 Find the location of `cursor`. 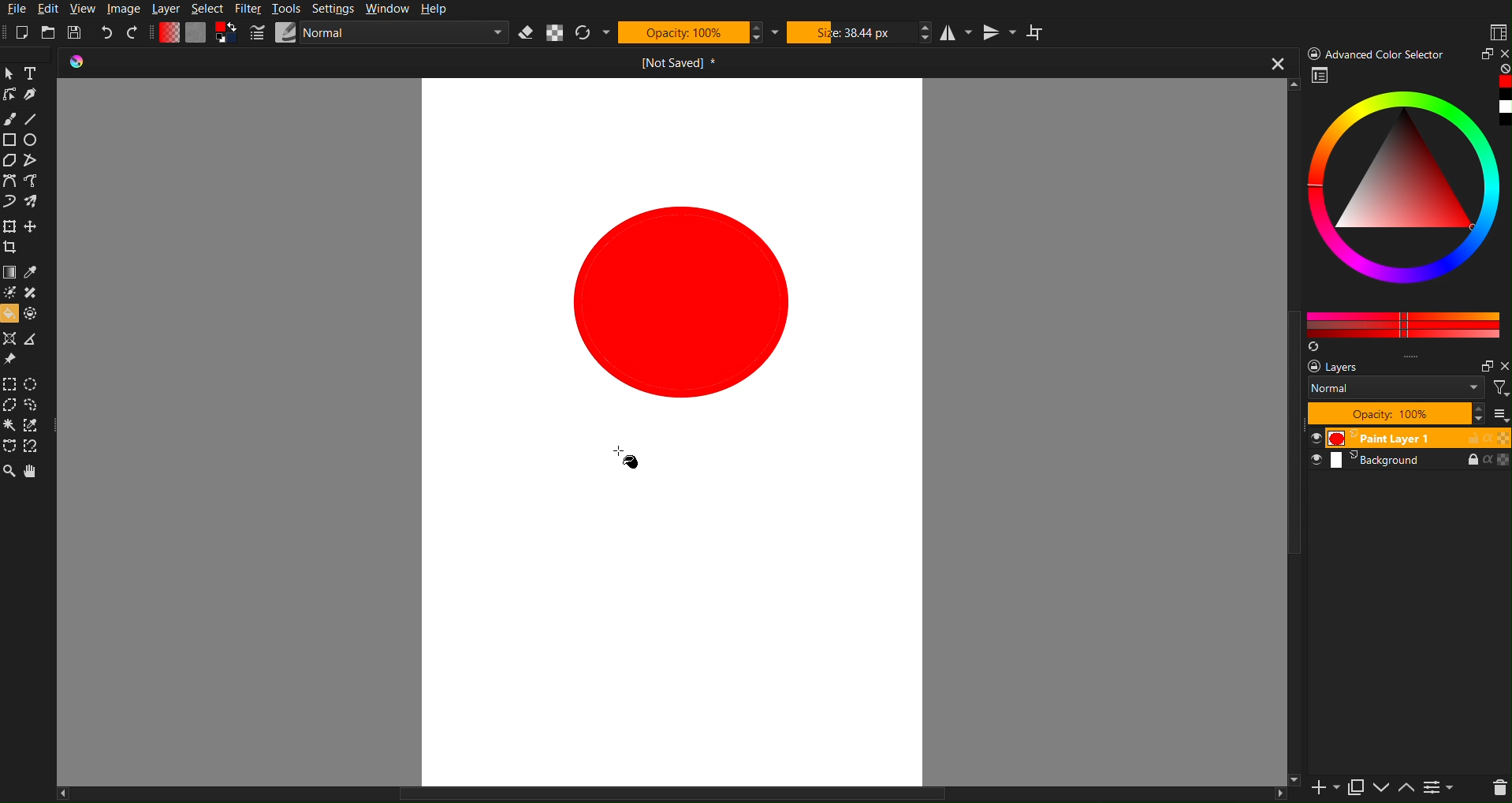

cursor is located at coordinates (635, 458).